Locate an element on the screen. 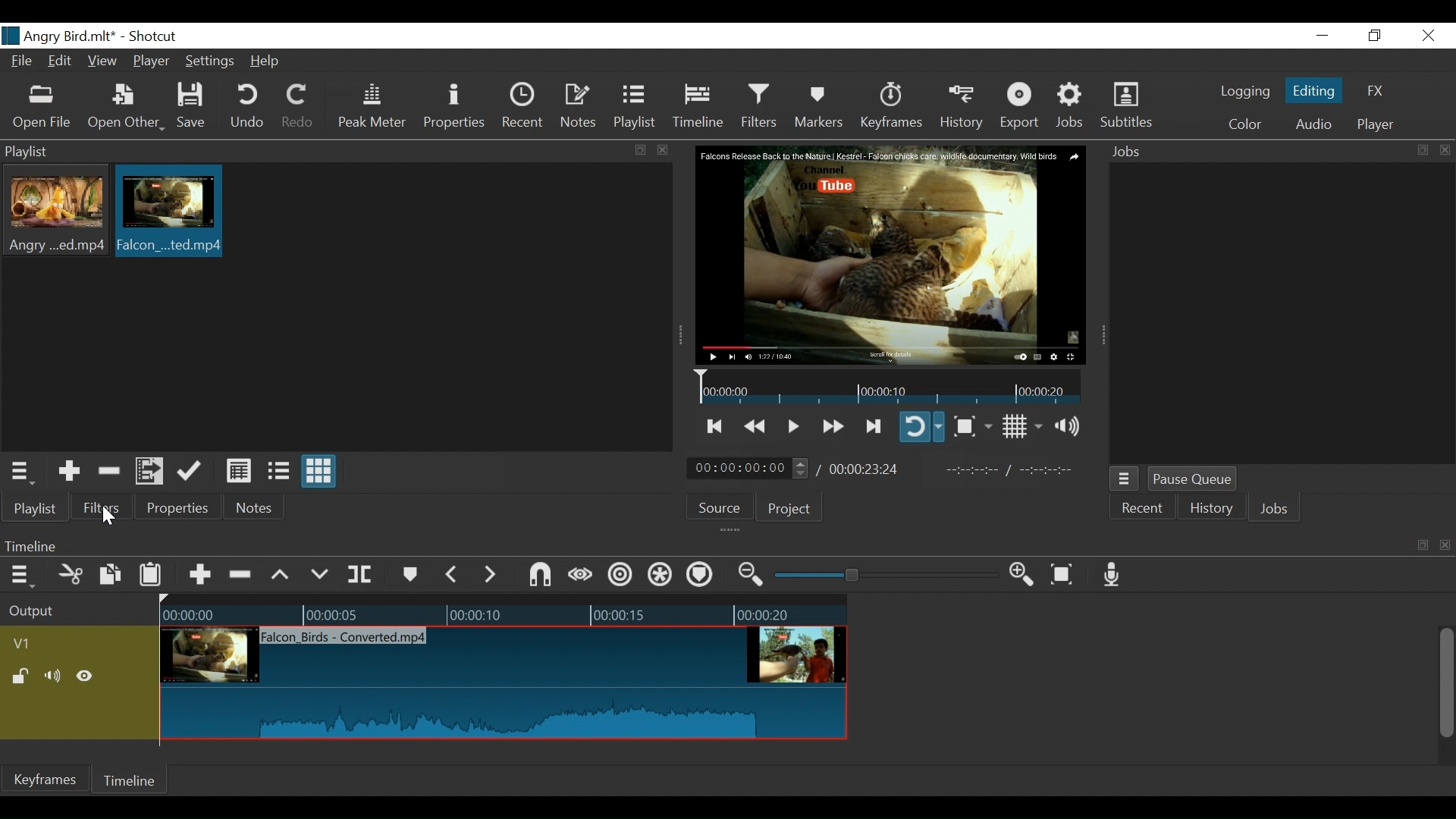 Image resolution: width=1456 pixels, height=819 pixels. close is located at coordinates (1445, 150).